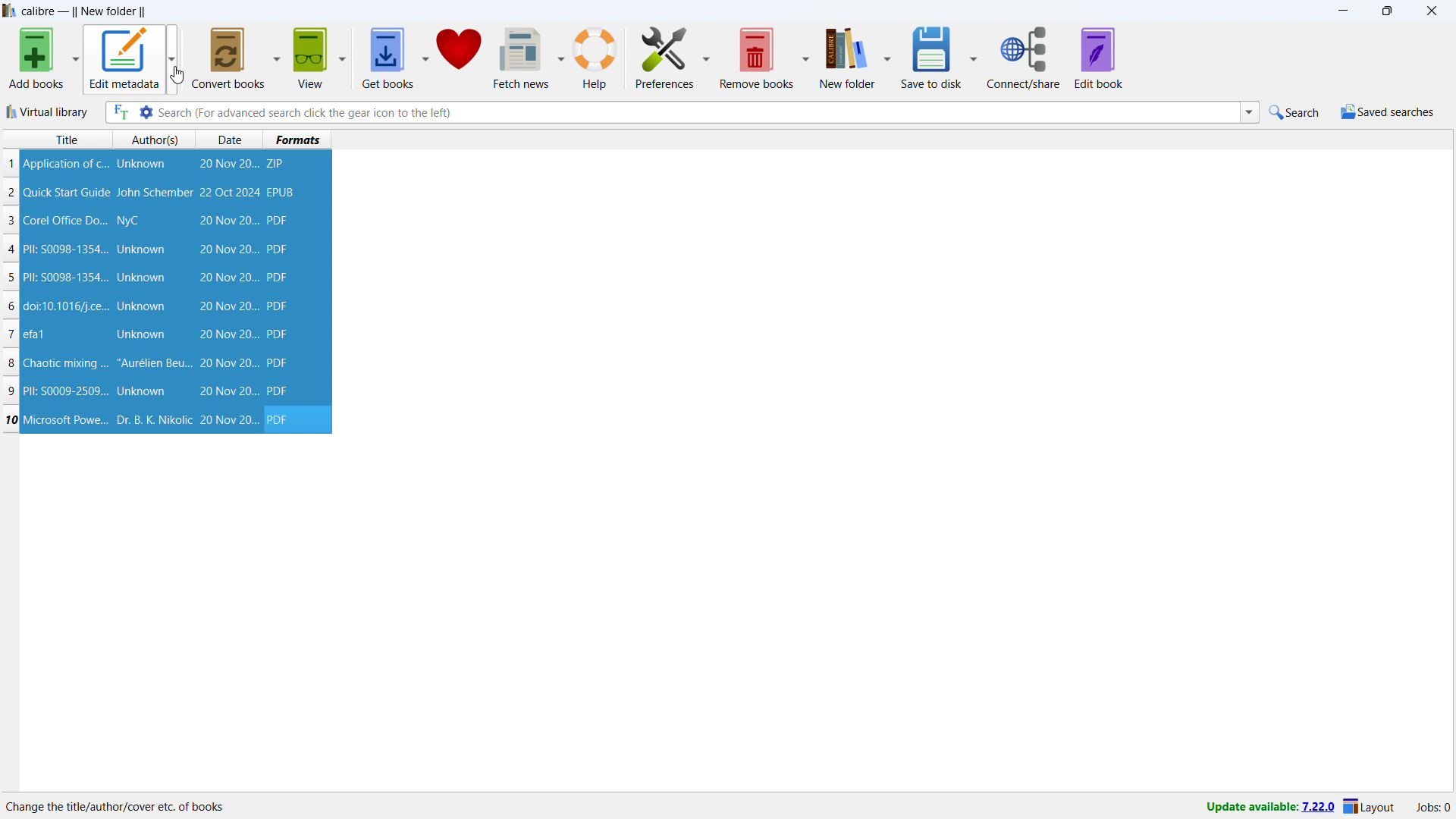 The width and height of the screenshot is (1456, 819). I want to click on Unknown, so click(142, 335).